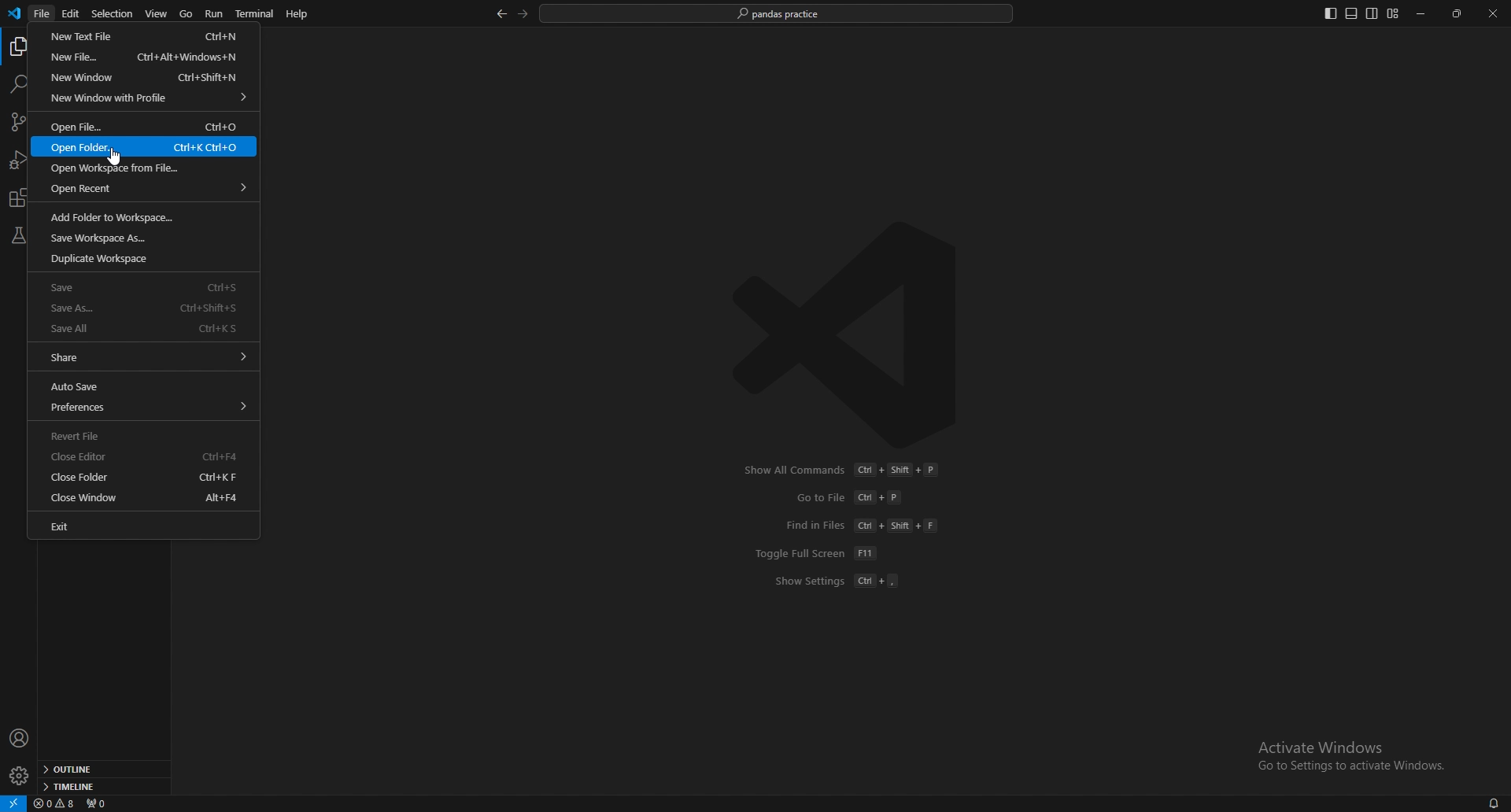 The height and width of the screenshot is (812, 1511). I want to click on go, so click(186, 15).